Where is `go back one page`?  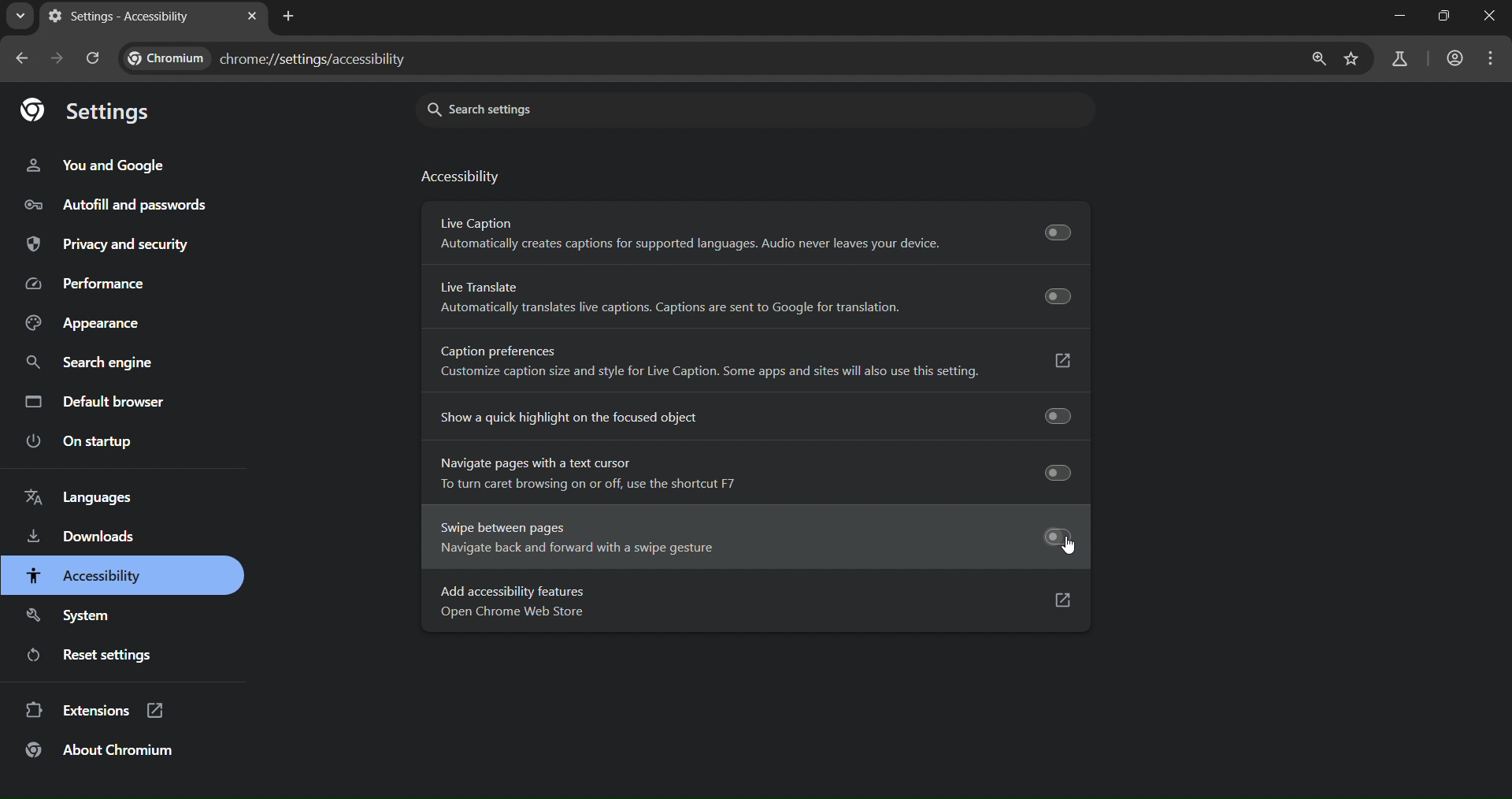
go back one page is located at coordinates (23, 59).